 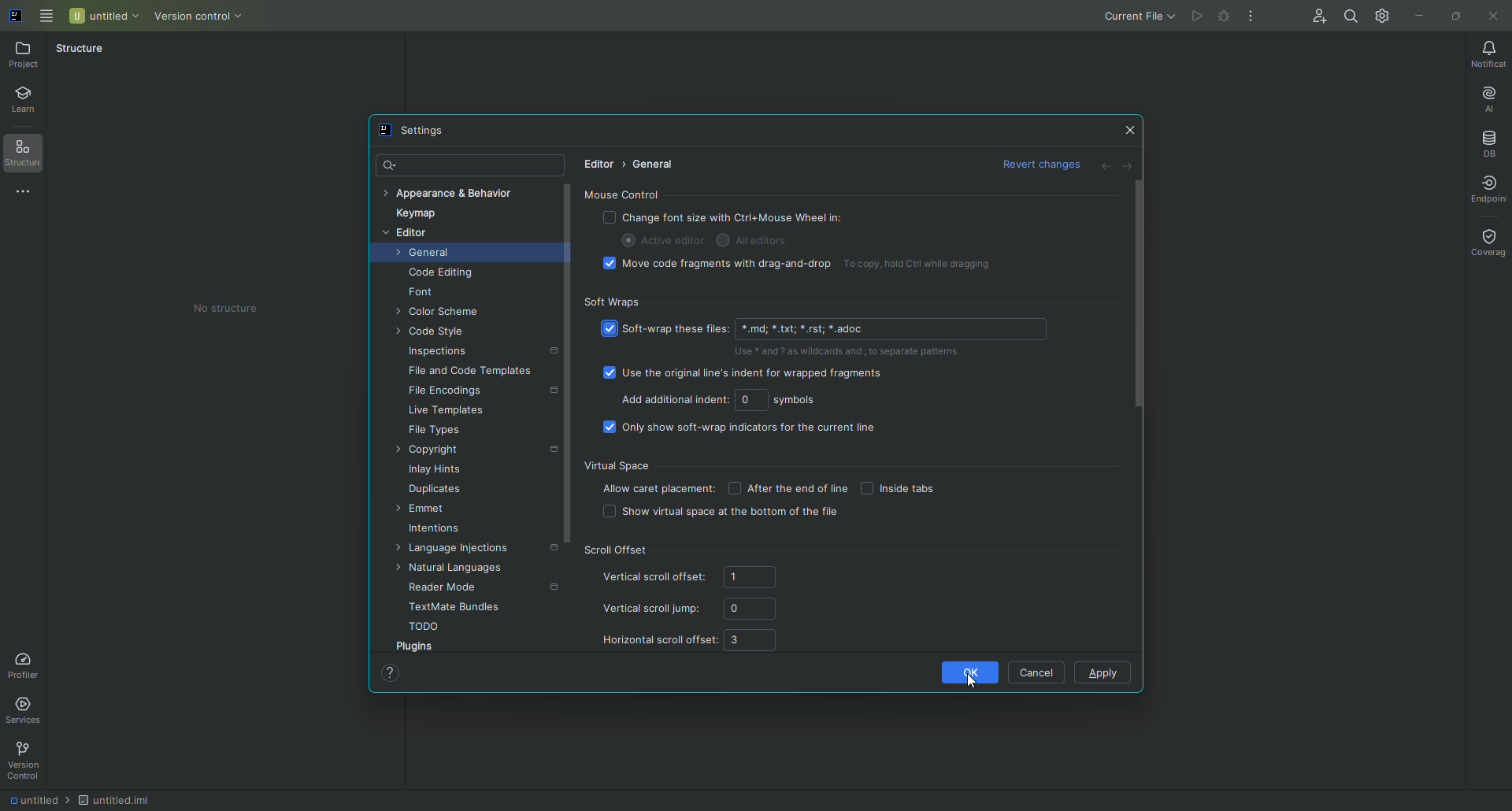 I want to click on Learn, so click(x=29, y=102).